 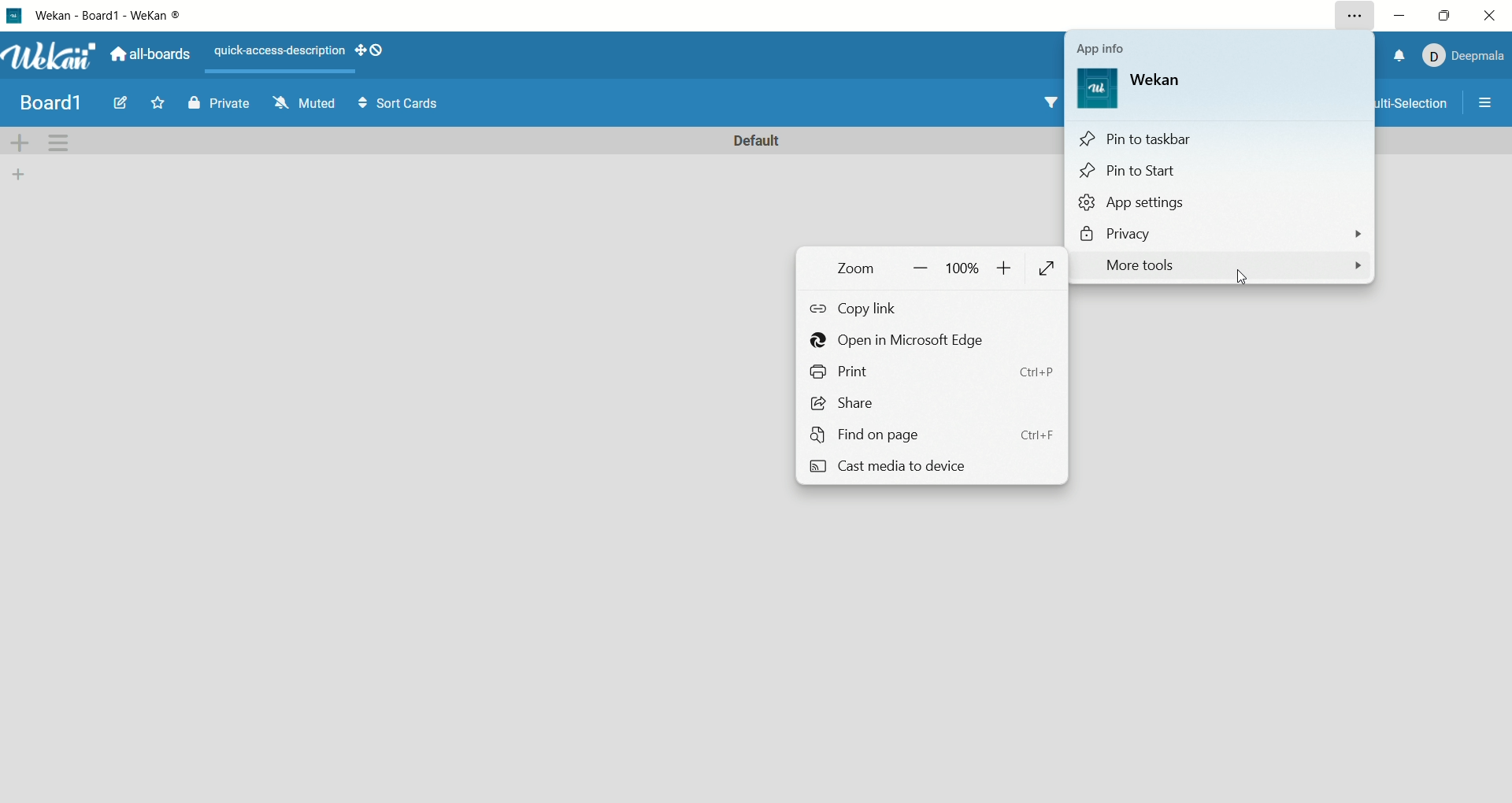 What do you see at coordinates (358, 46) in the screenshot?
I see `show-desktop-drag-handles` at bounding box center [358, 46].